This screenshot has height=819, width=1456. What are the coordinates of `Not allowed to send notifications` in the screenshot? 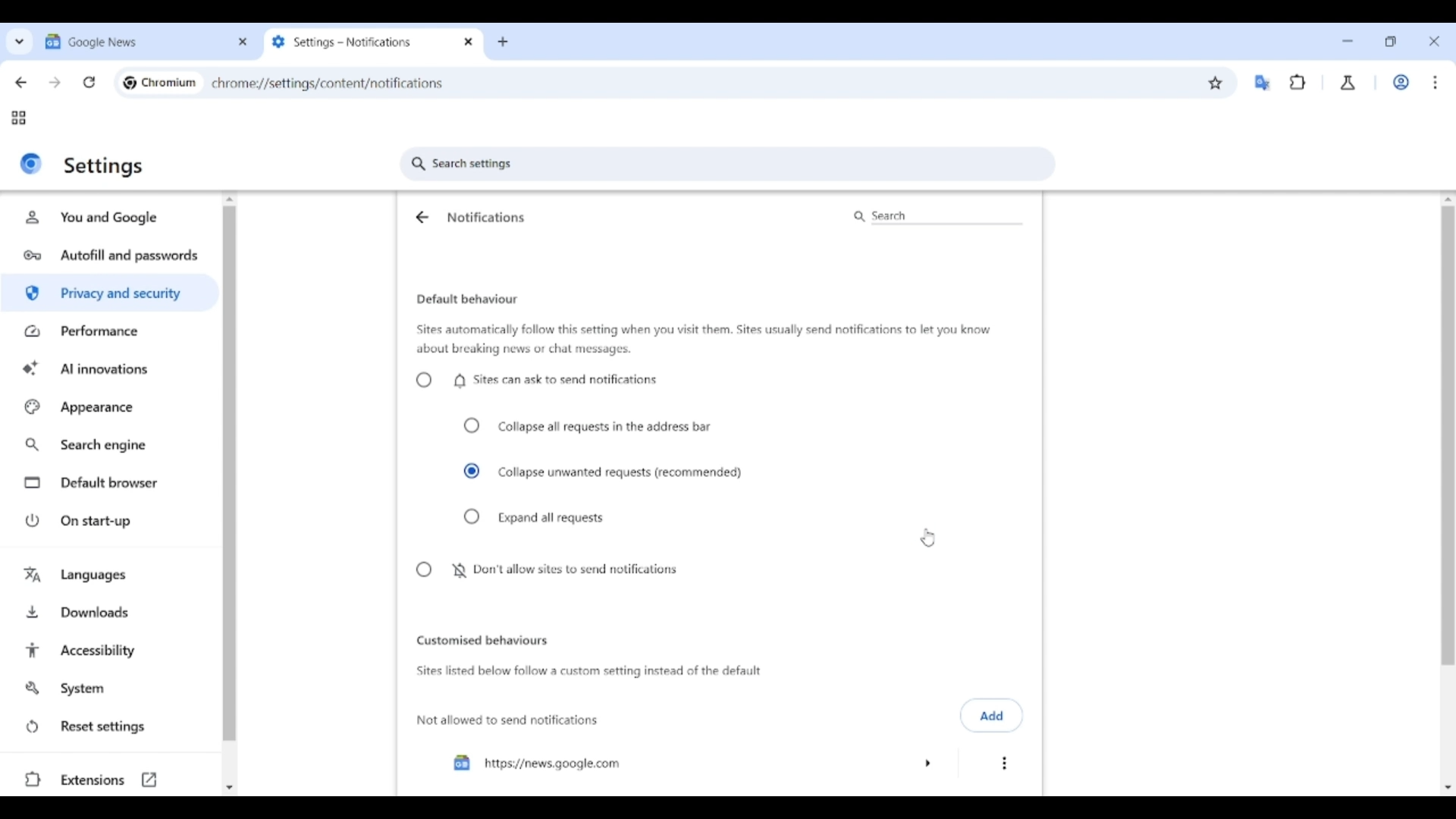 It's located at (509, 720).